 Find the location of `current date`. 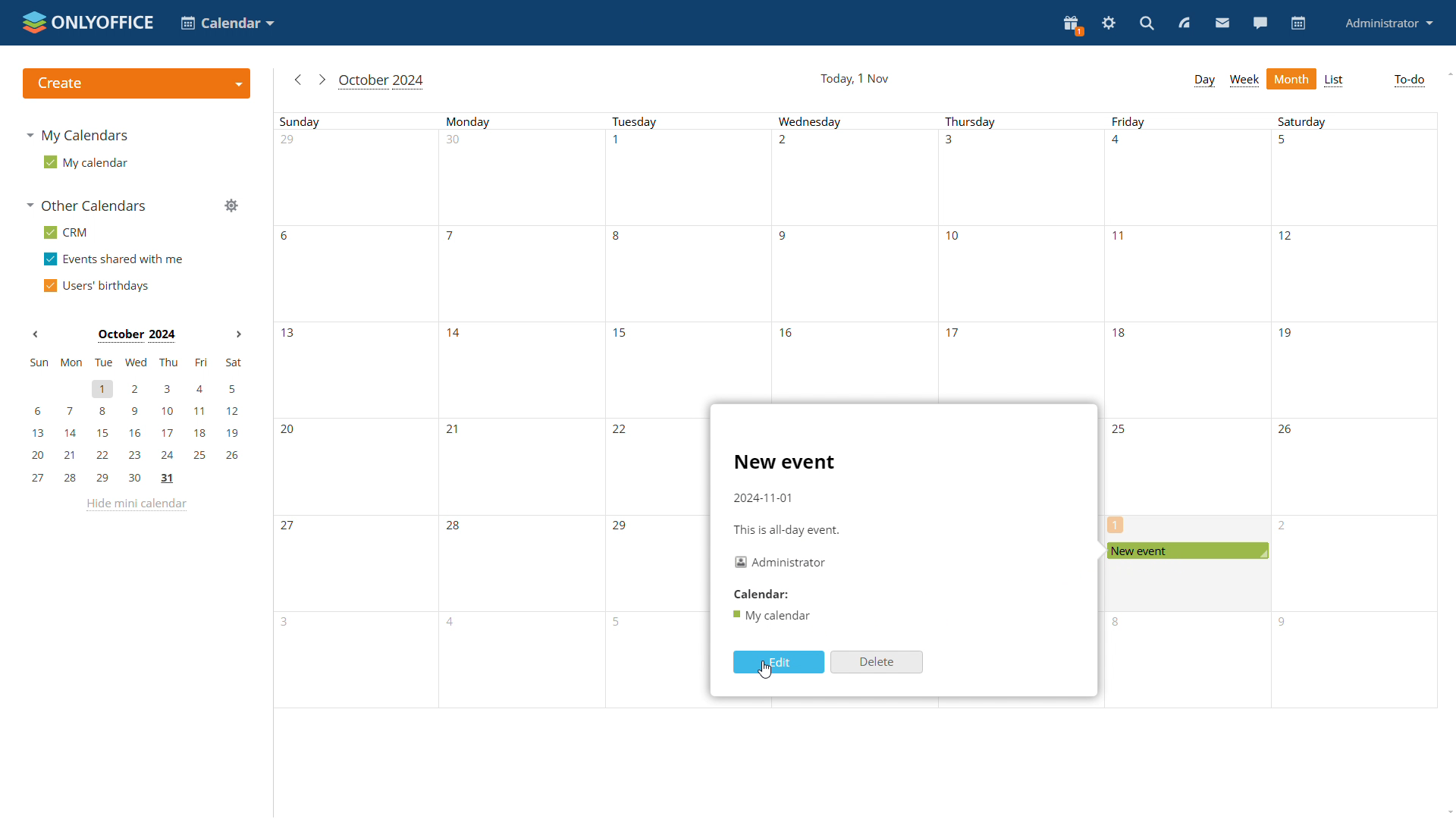

current date is located at coordinates (853, 78).